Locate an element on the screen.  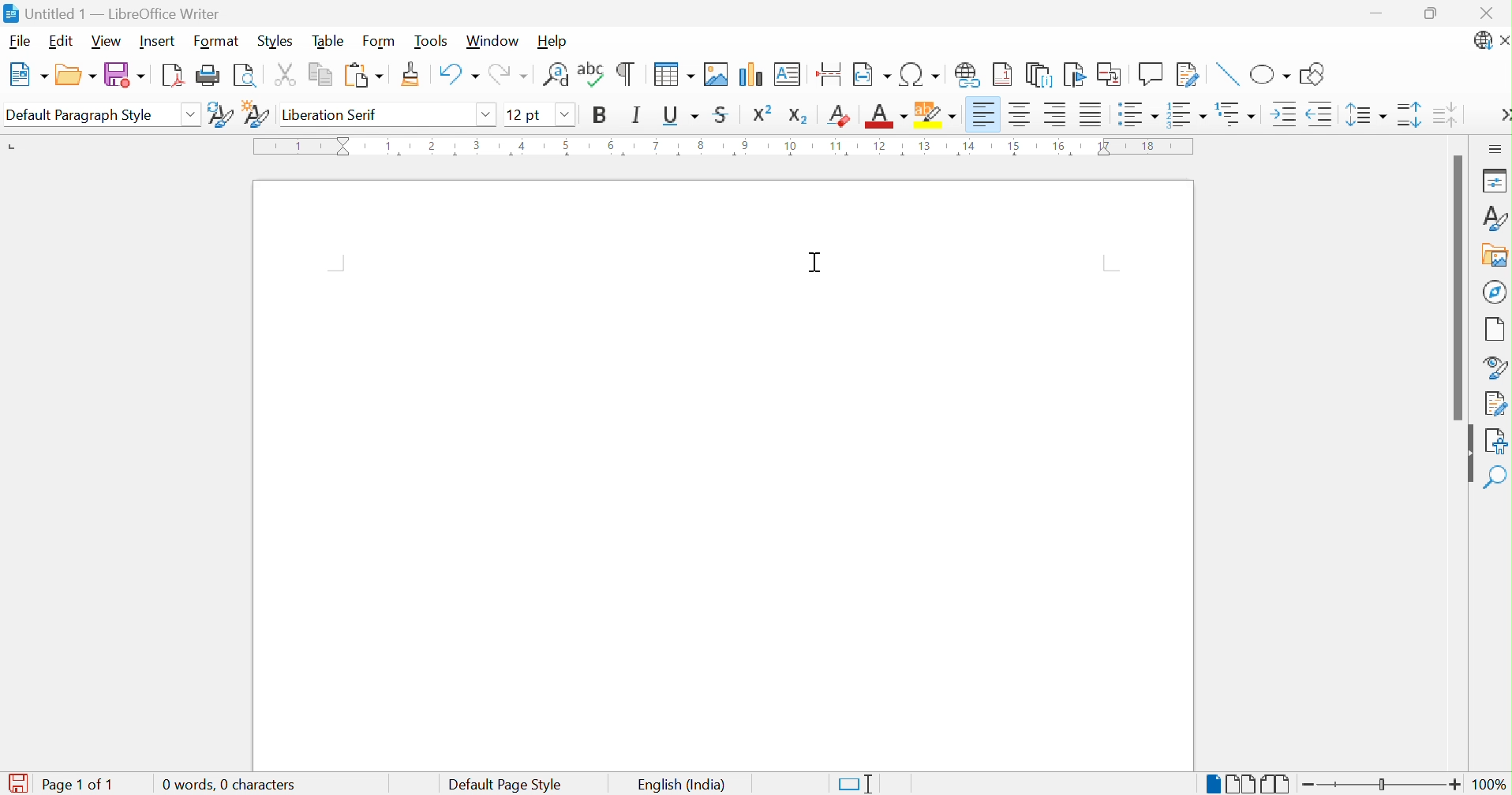
LibreOffice update available is located at coordinates (1482, 42).